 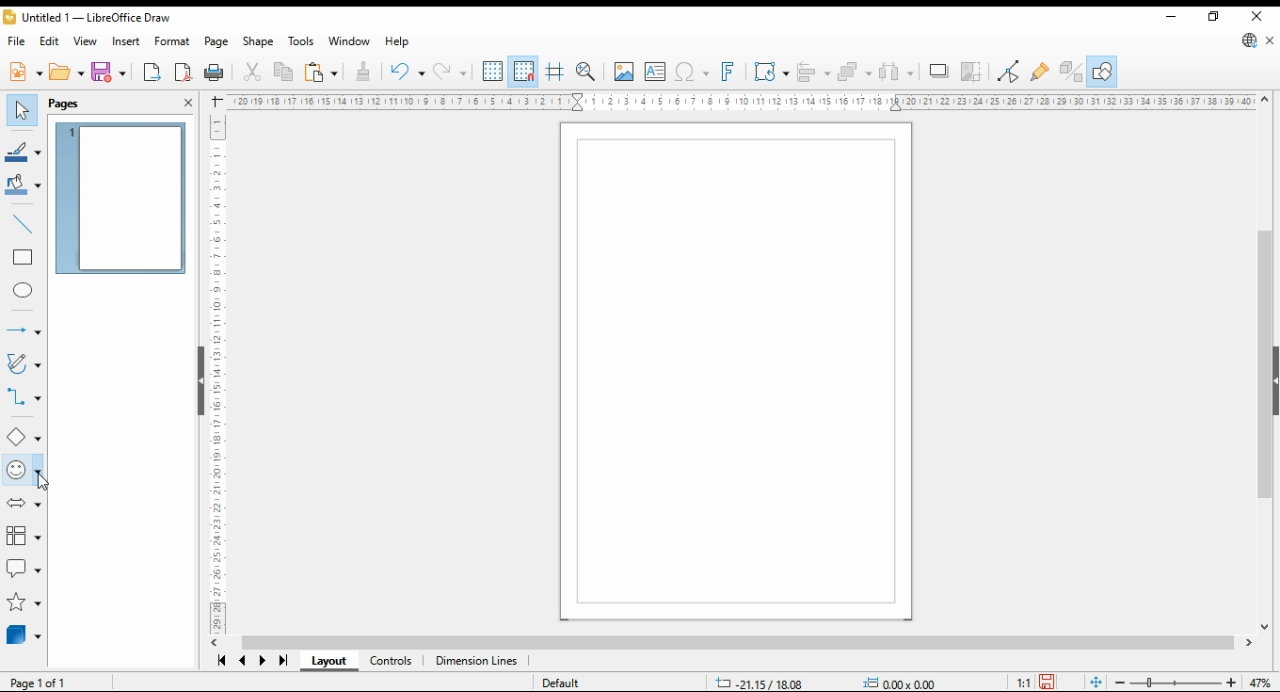 I want to click on hide button, so click(x=199, y=380).